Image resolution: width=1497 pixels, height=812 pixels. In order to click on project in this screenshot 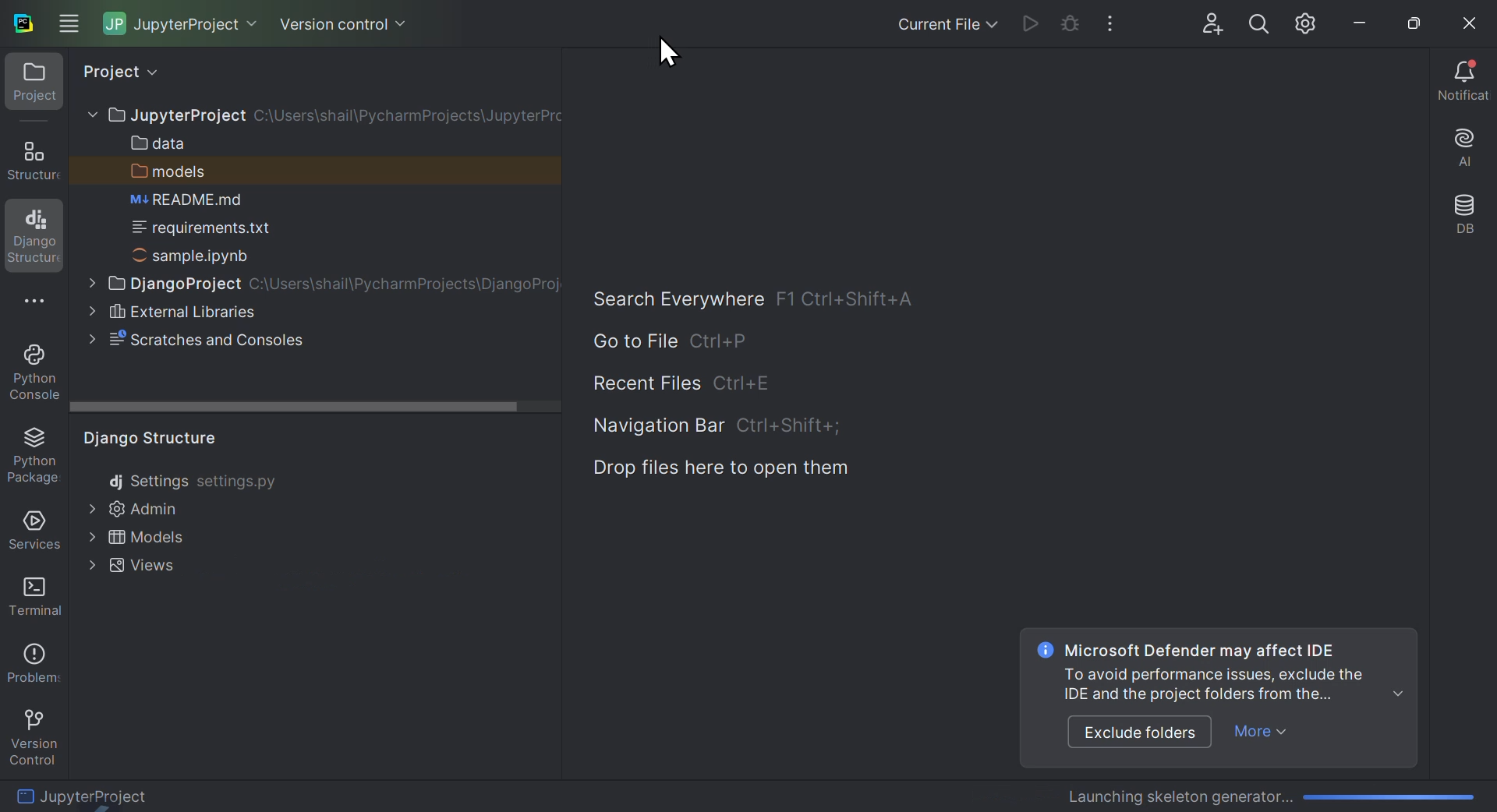, I will do `click(29, 87)`.